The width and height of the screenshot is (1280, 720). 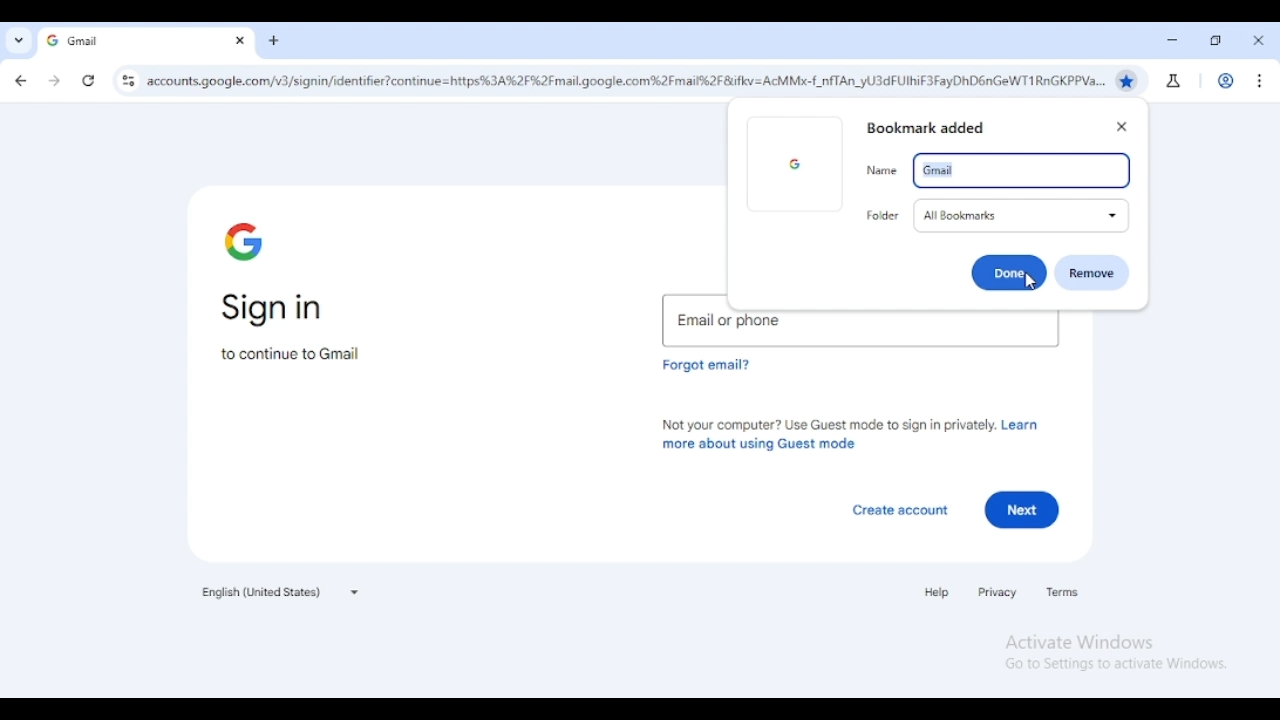 What do you see at coordinates (883, 216) in the screenshot?
I see `folder` at bounding box center [883, 216].